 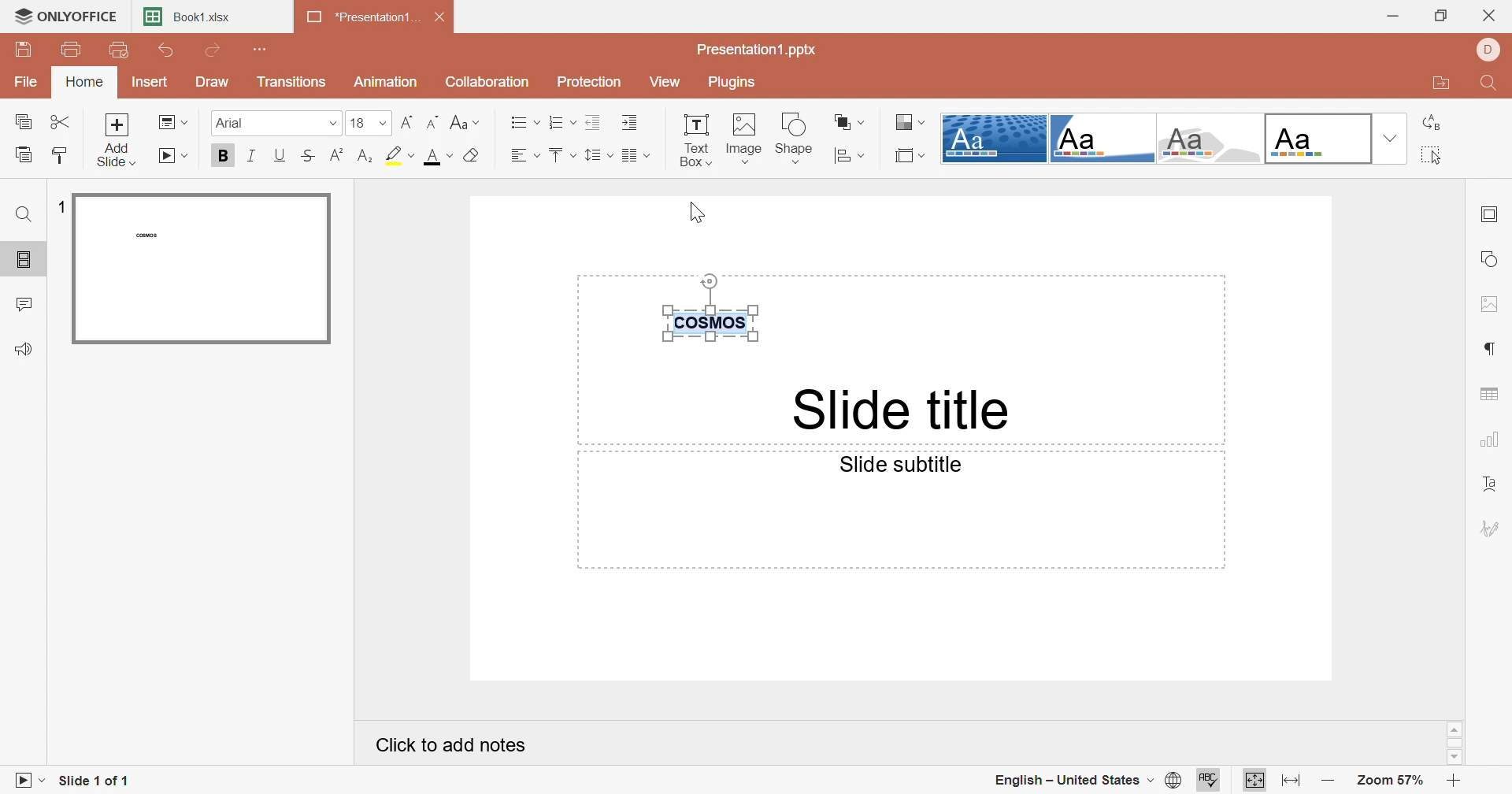 What do you see at coordinates (1394, 17) in the screenshot?
I see `Minimize` at bounding box center [1394, 17].